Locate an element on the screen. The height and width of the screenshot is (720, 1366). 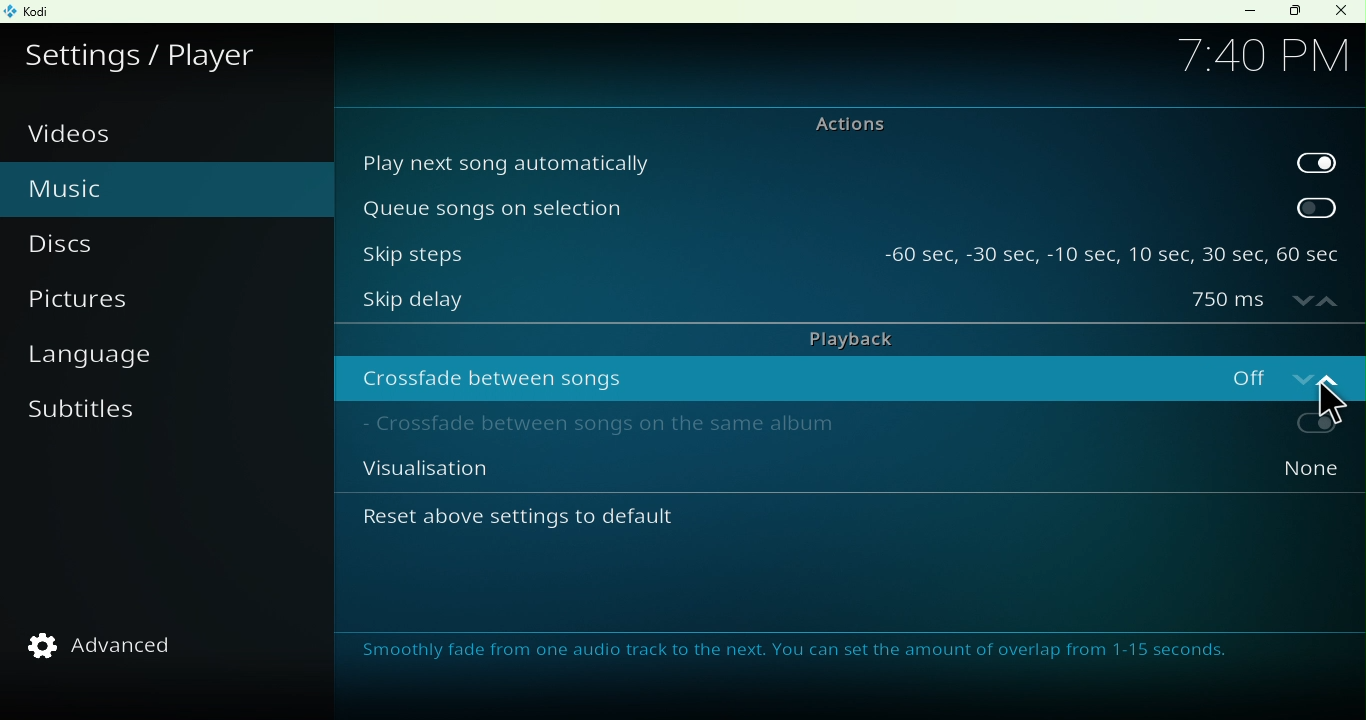
Subtitles is located at coordinates (89, 422).